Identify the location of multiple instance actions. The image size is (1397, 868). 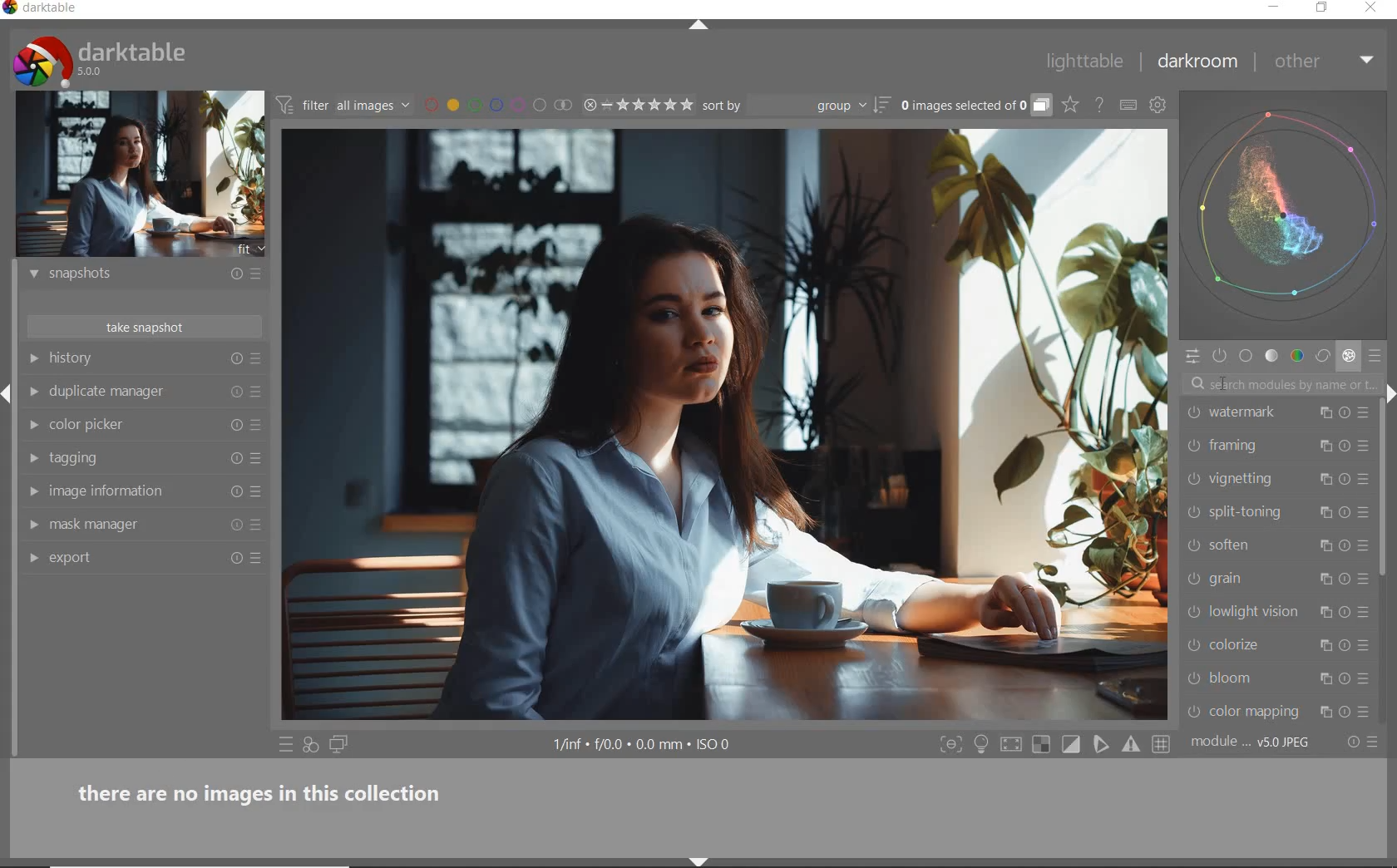
(1324, 479).